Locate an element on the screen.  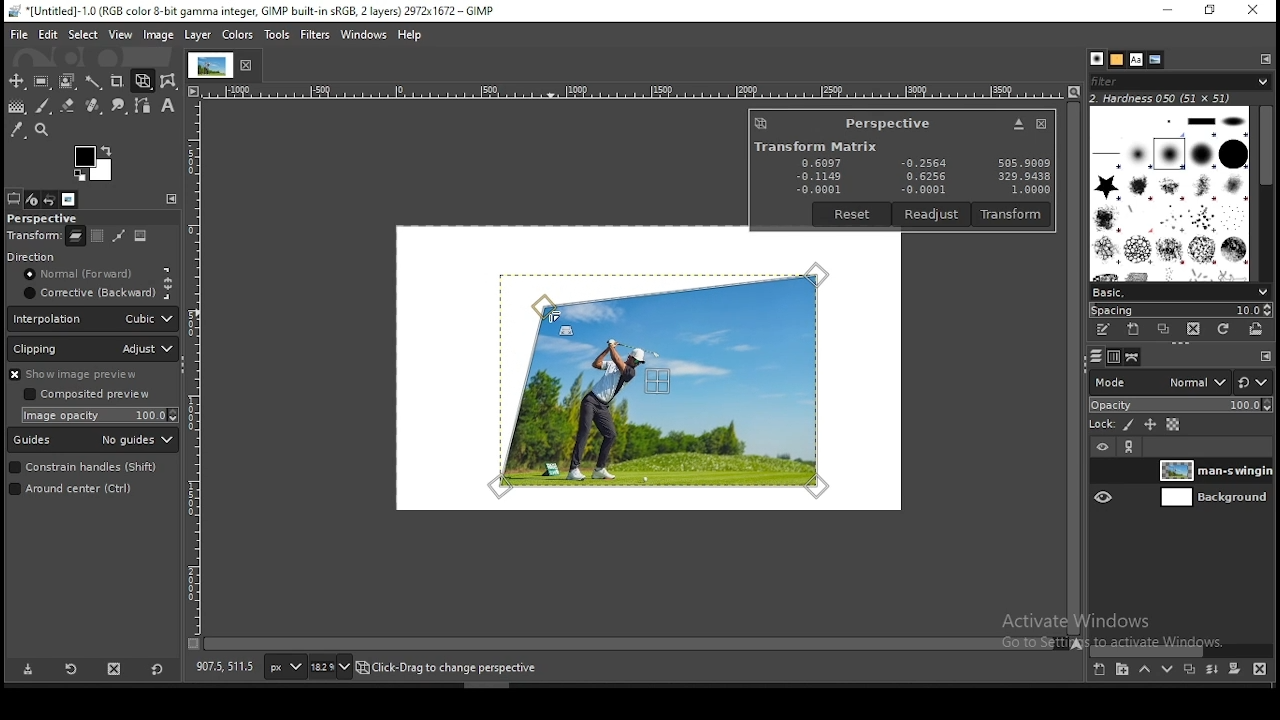
layer visibility is located at coordinates (1102, 448).